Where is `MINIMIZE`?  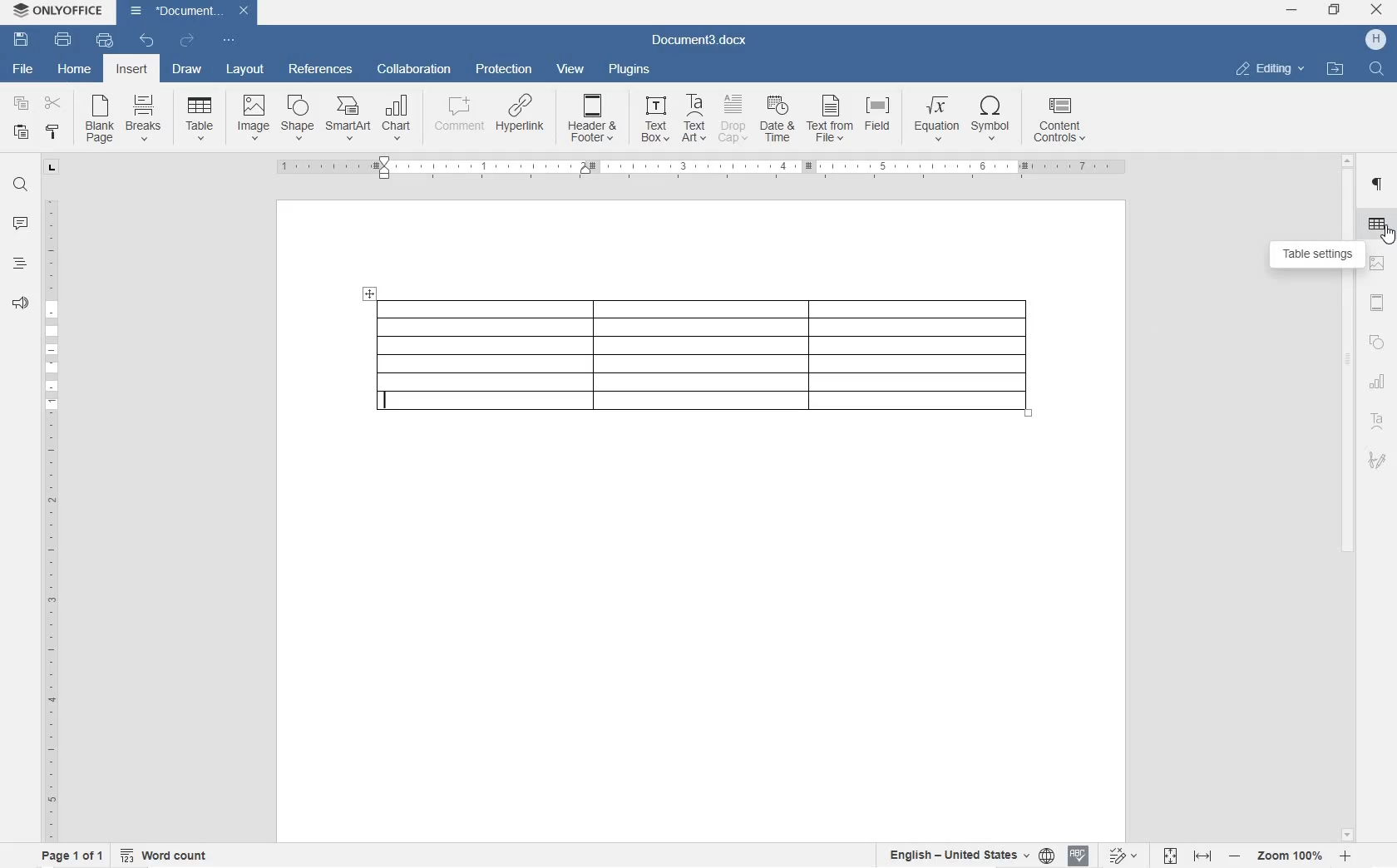 MINIMIZE is located at coordinates (1292, 10).